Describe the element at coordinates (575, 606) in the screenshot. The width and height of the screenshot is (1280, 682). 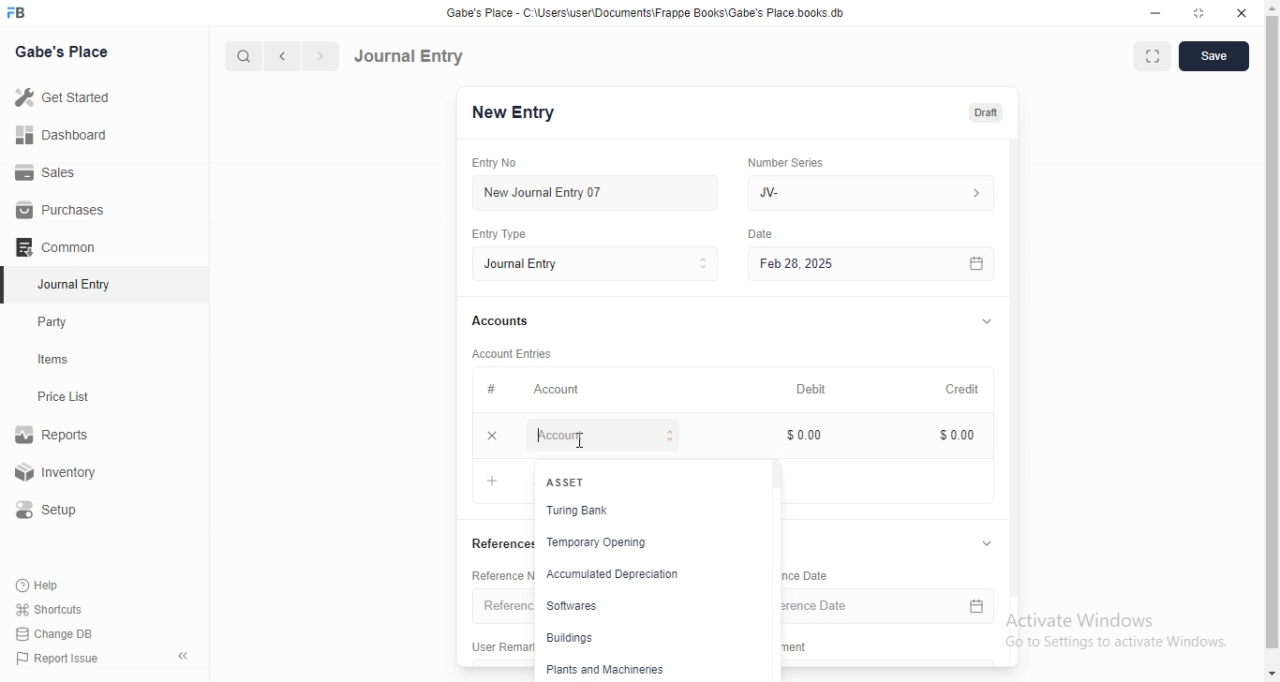
I see `Softwares` at that location.